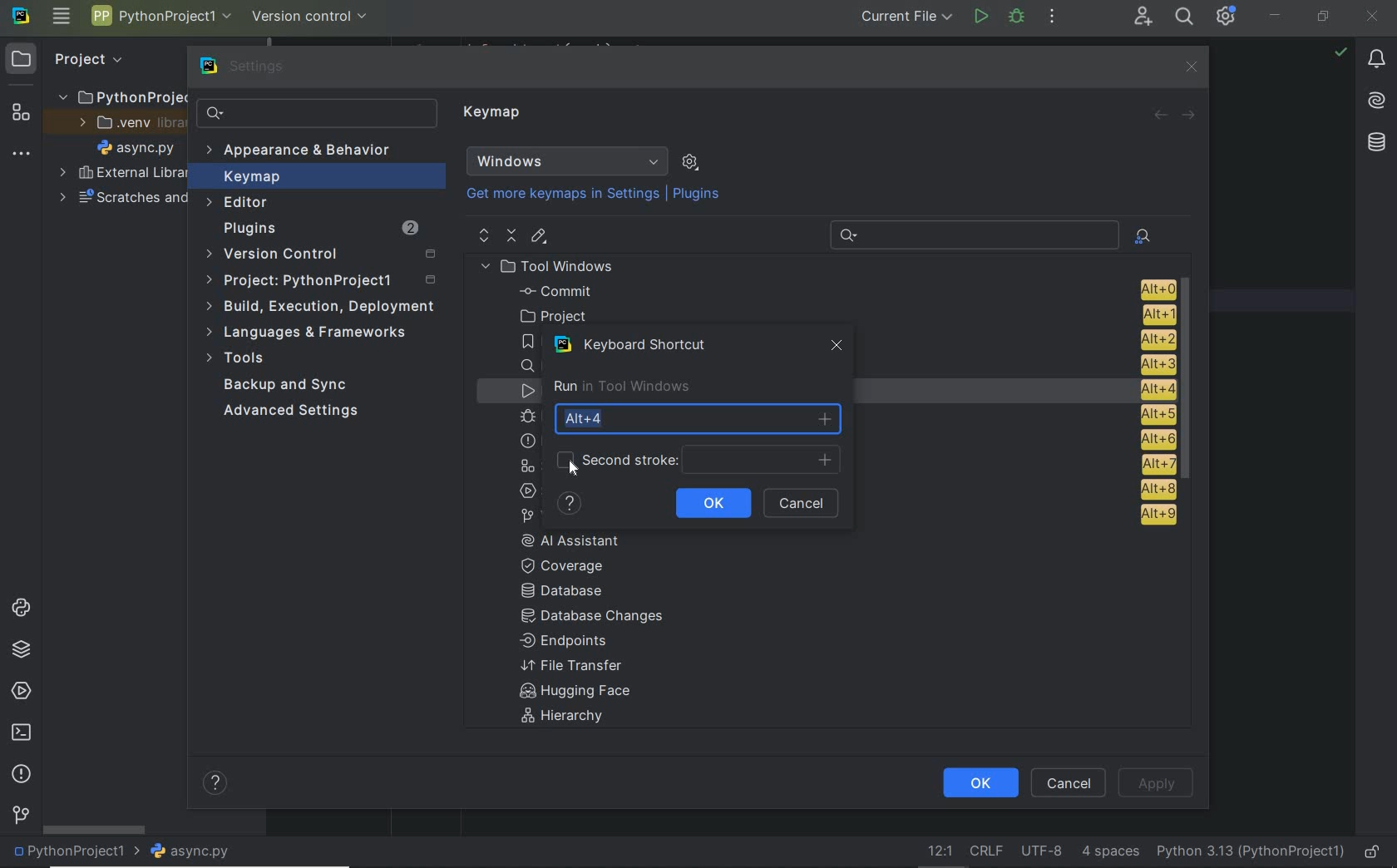 The width and height of the screenshot is (1397, 868). What do you see at coordinates (985, 851) in the screenshot?
I see `Line separator` at bounding box center [985, 851].